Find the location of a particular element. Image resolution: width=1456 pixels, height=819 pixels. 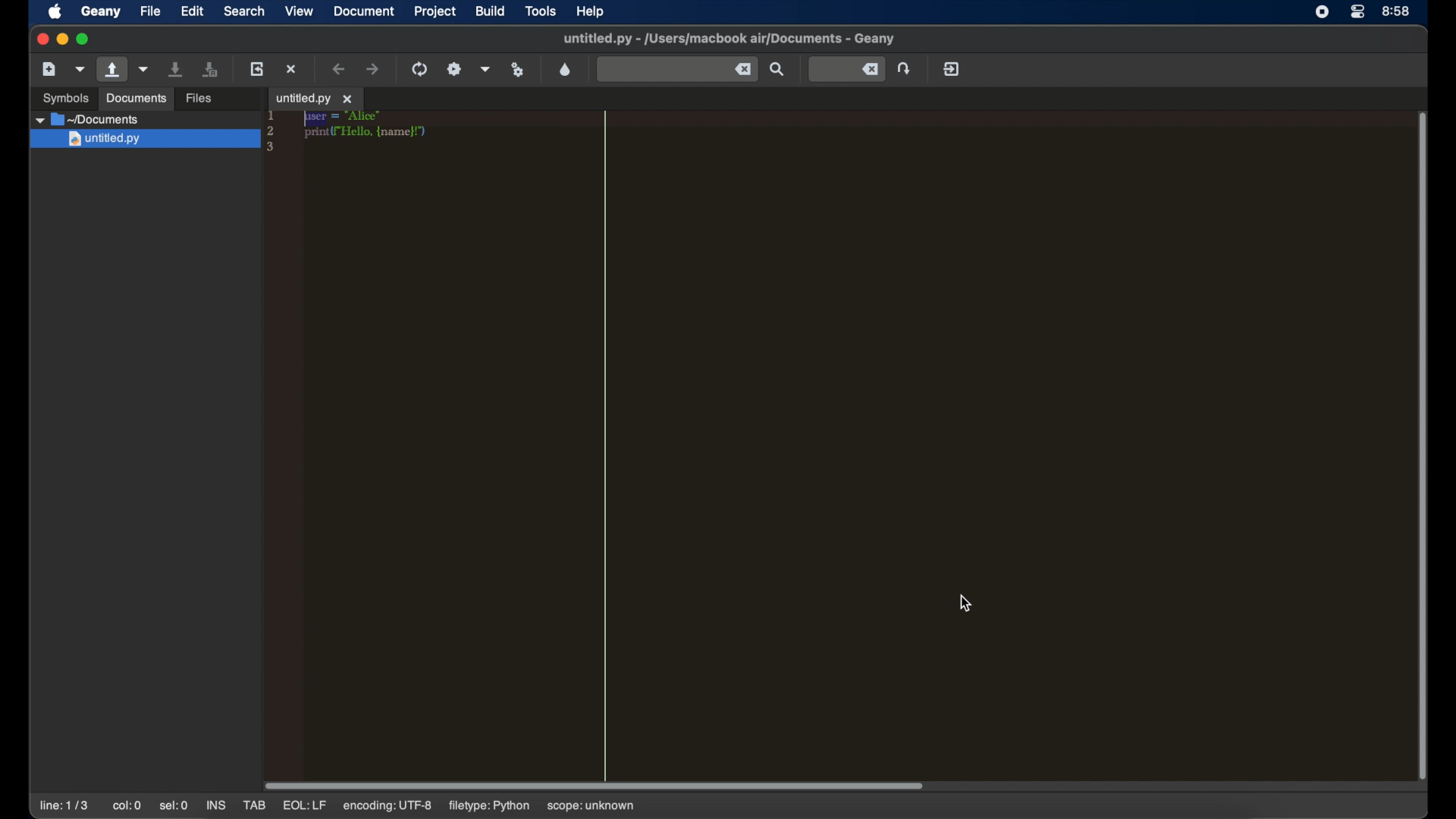

documents is located at coordinates (136, 99).